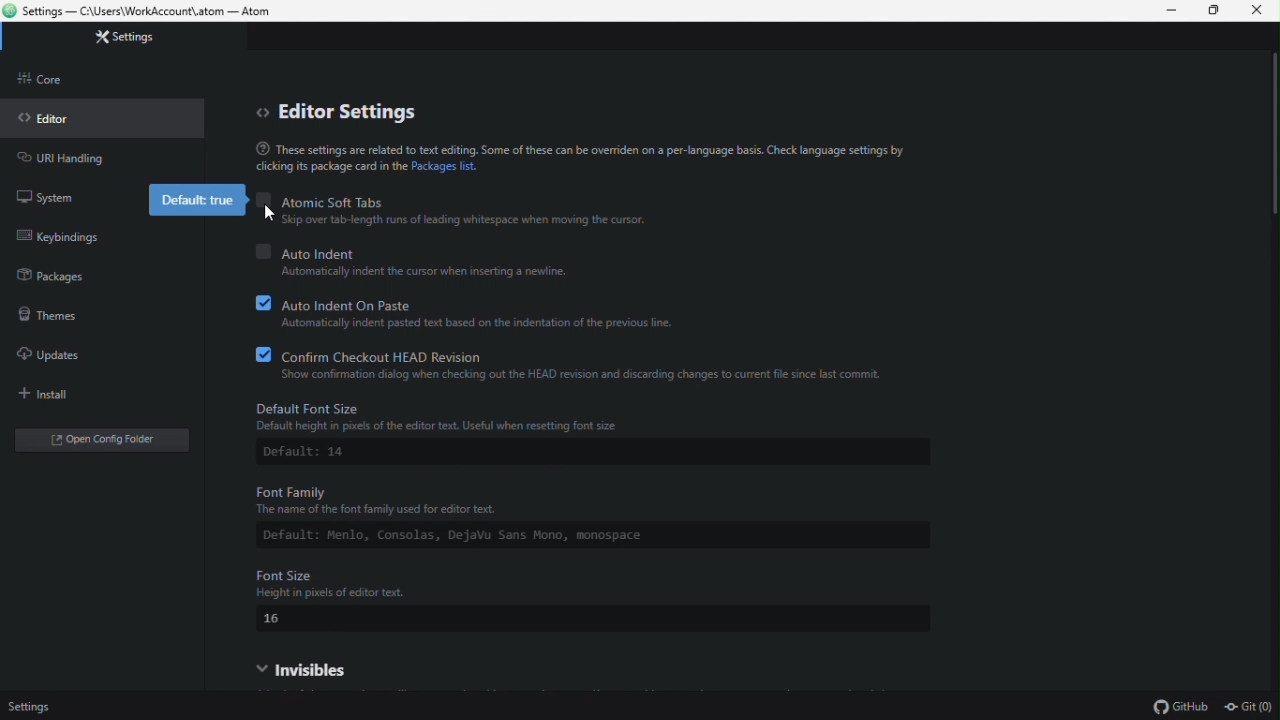  What do you see at coordinates (427, 272) in the screenshot?
I see `Automatically indent the cursor when inserting a newline.` at bounding box center [427, 272].